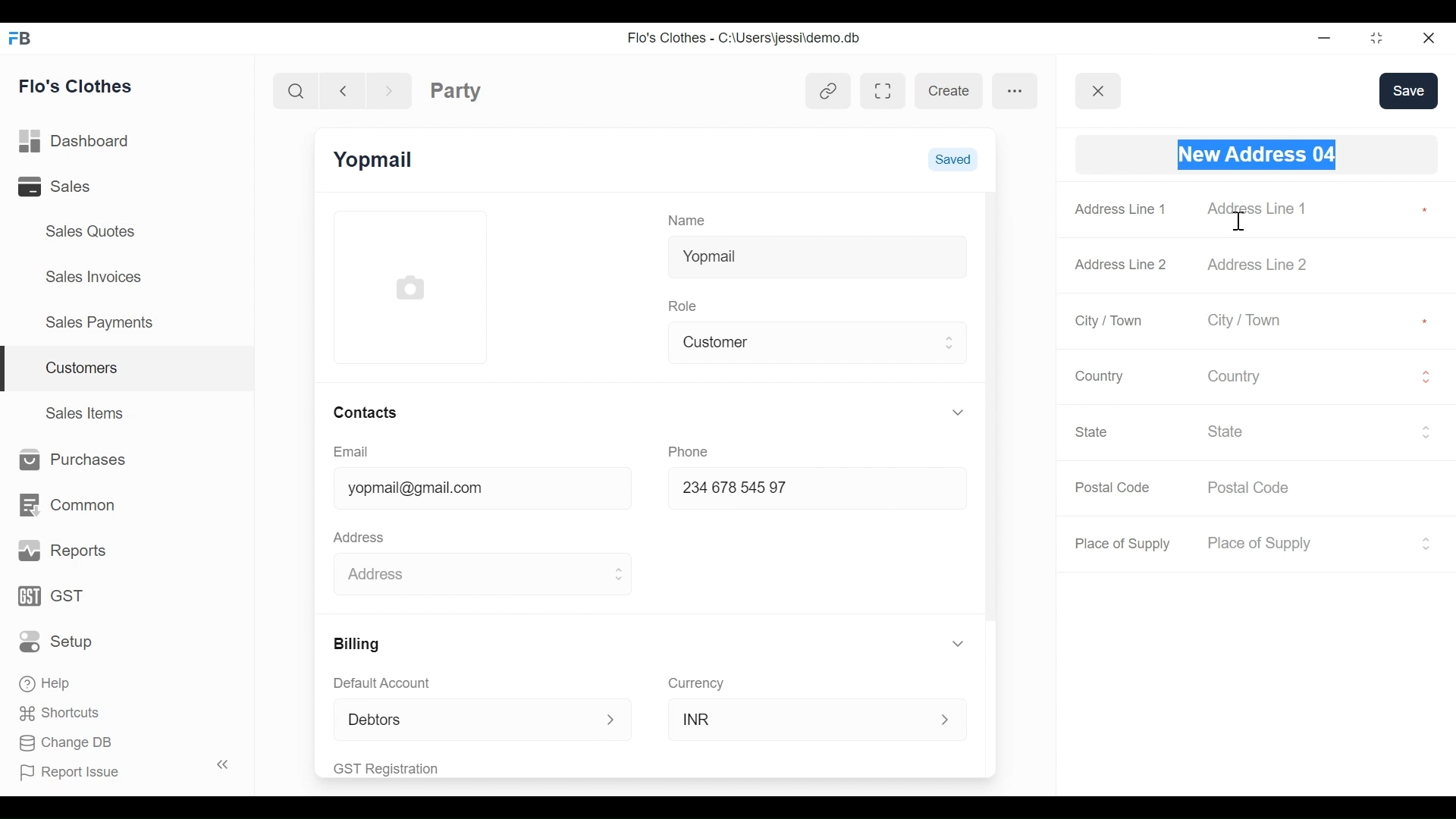 Image resolution: width=1456 pixels, height=819 pixels. Describe the element at coordinates (389, 89) in the screenshot. I see `Navigate Forward` at that location.